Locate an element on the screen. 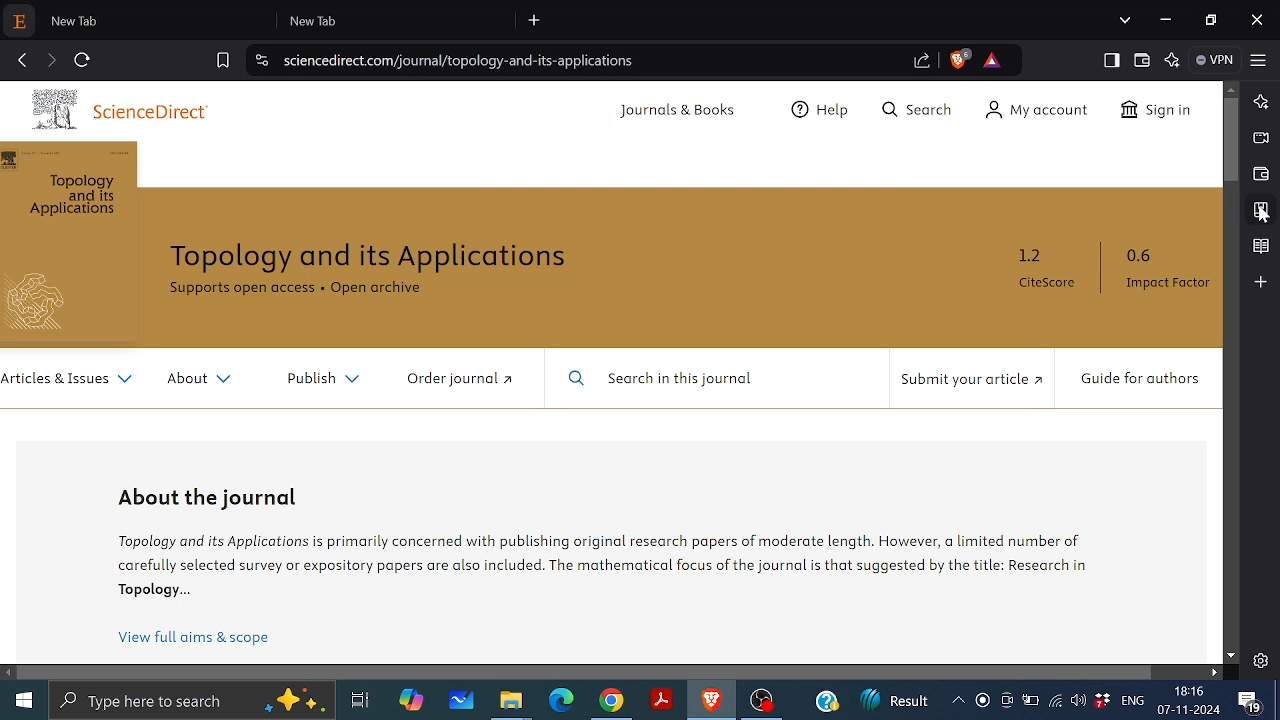 The height and width of the screenshot is (720, 1280). Show hidden icons is located at coordinates (957, 700).